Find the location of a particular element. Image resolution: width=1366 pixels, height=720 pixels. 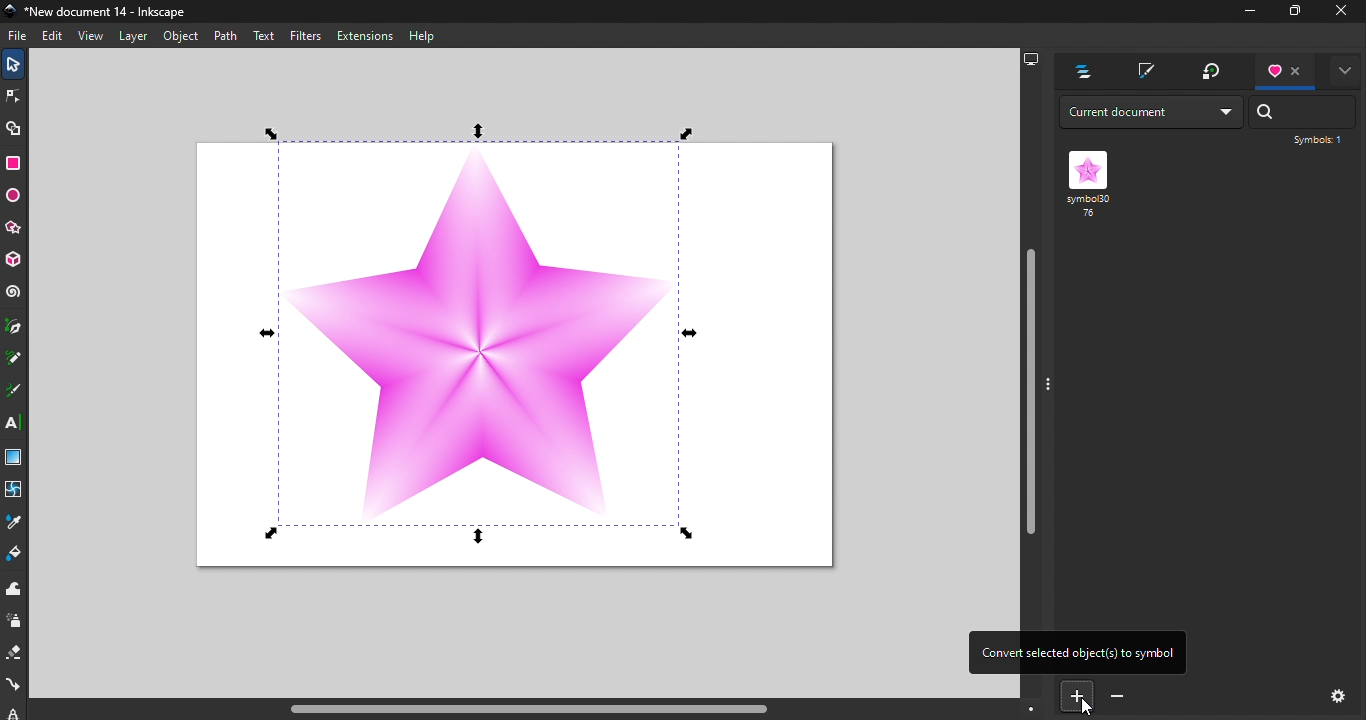

Text is located at coordinates (263, 35).